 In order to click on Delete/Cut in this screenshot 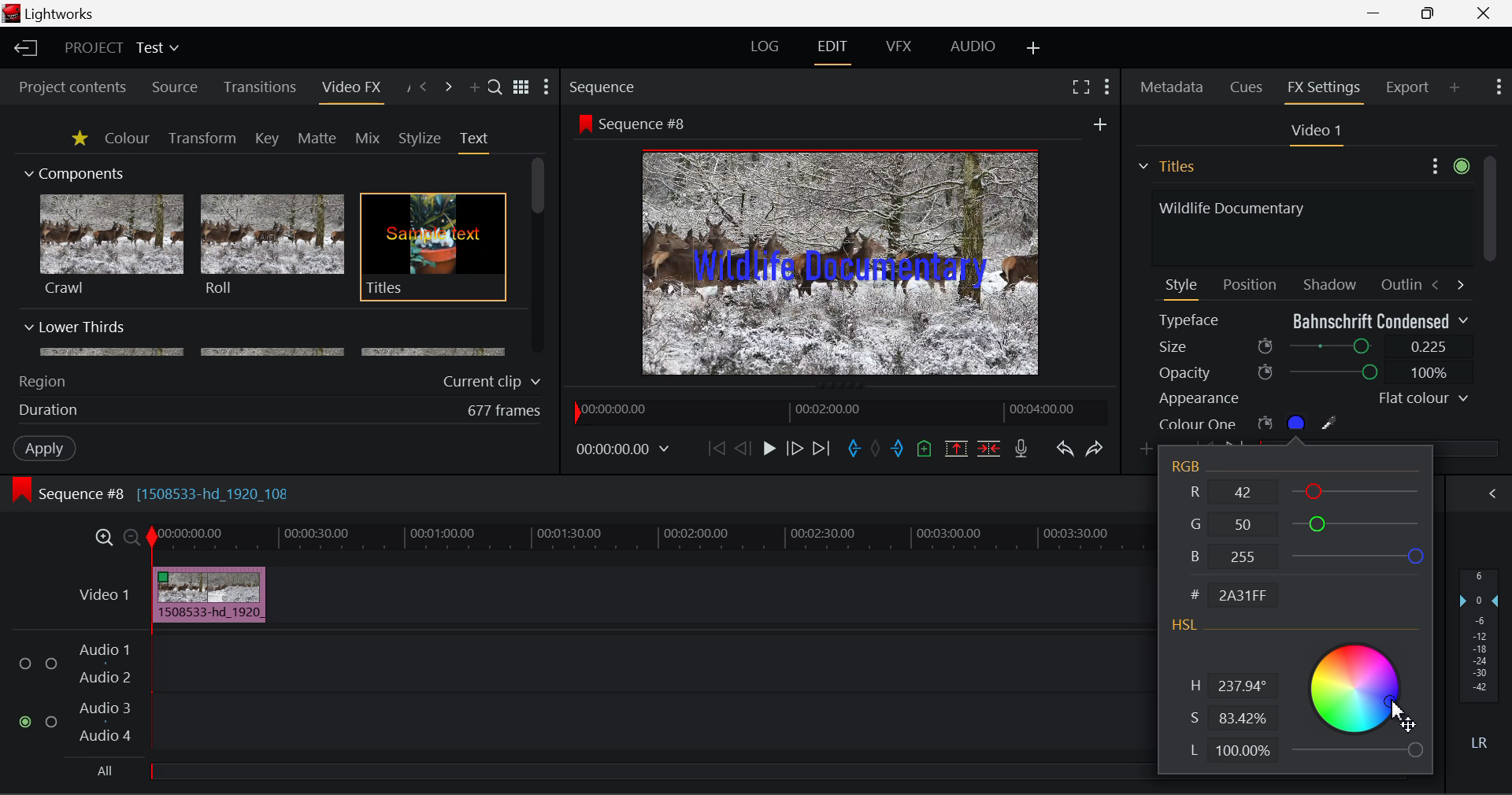, I will do `click(991, 448)`.